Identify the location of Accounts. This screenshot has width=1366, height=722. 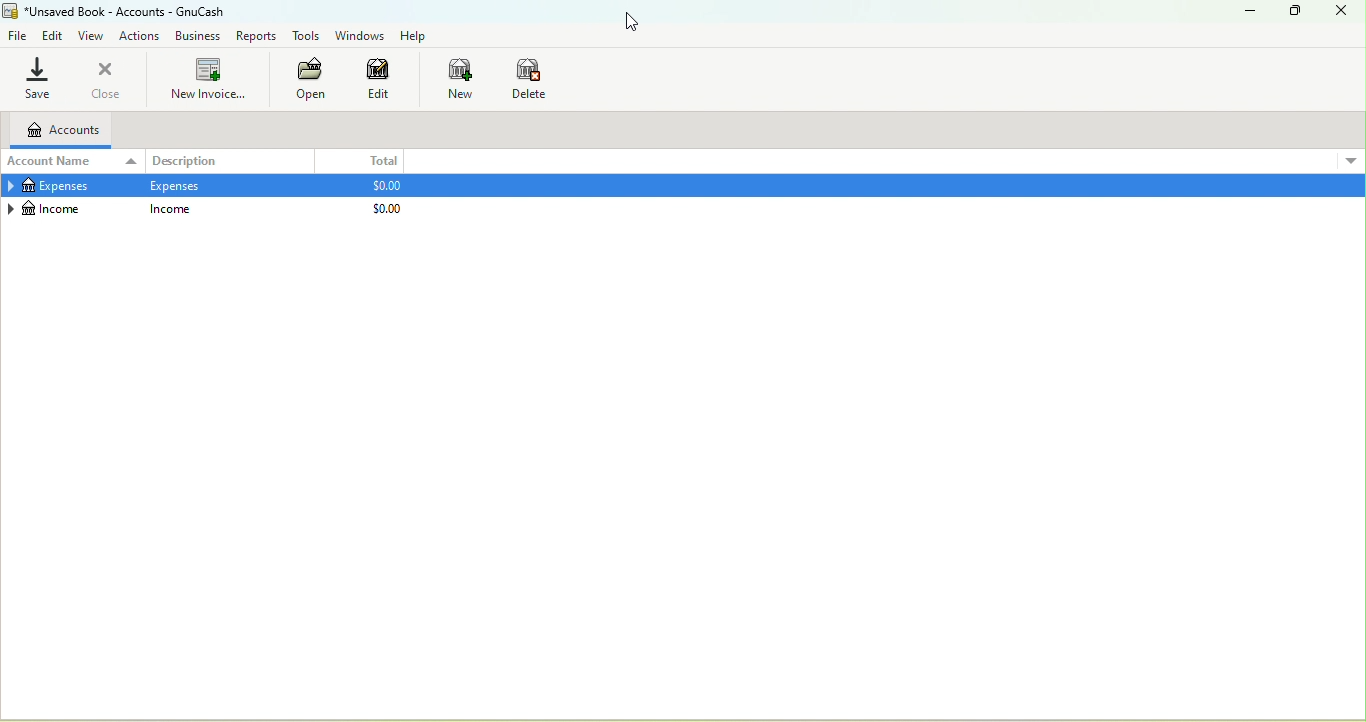
(58, 131).